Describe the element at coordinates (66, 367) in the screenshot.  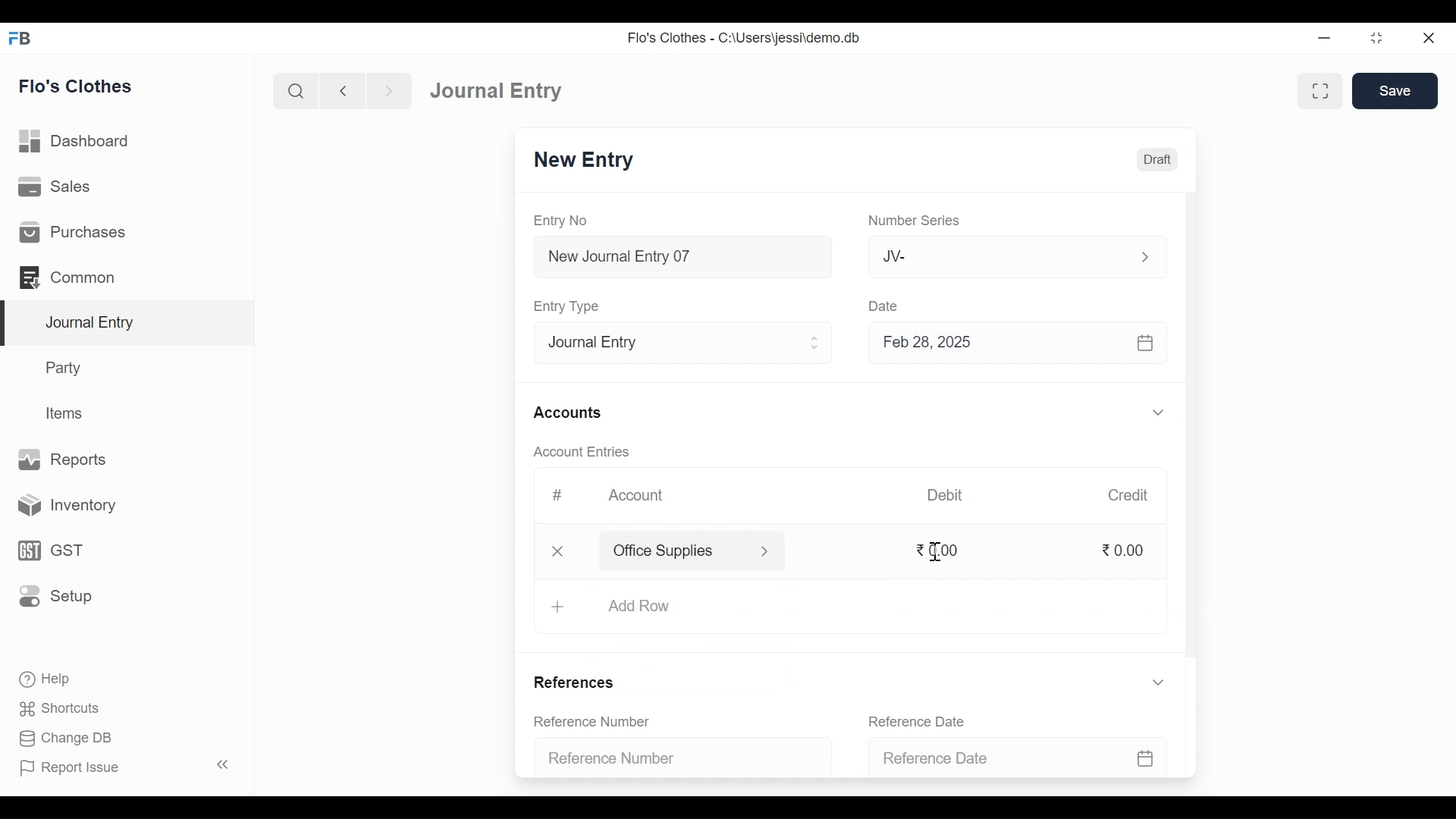
I see `Party` at that location.